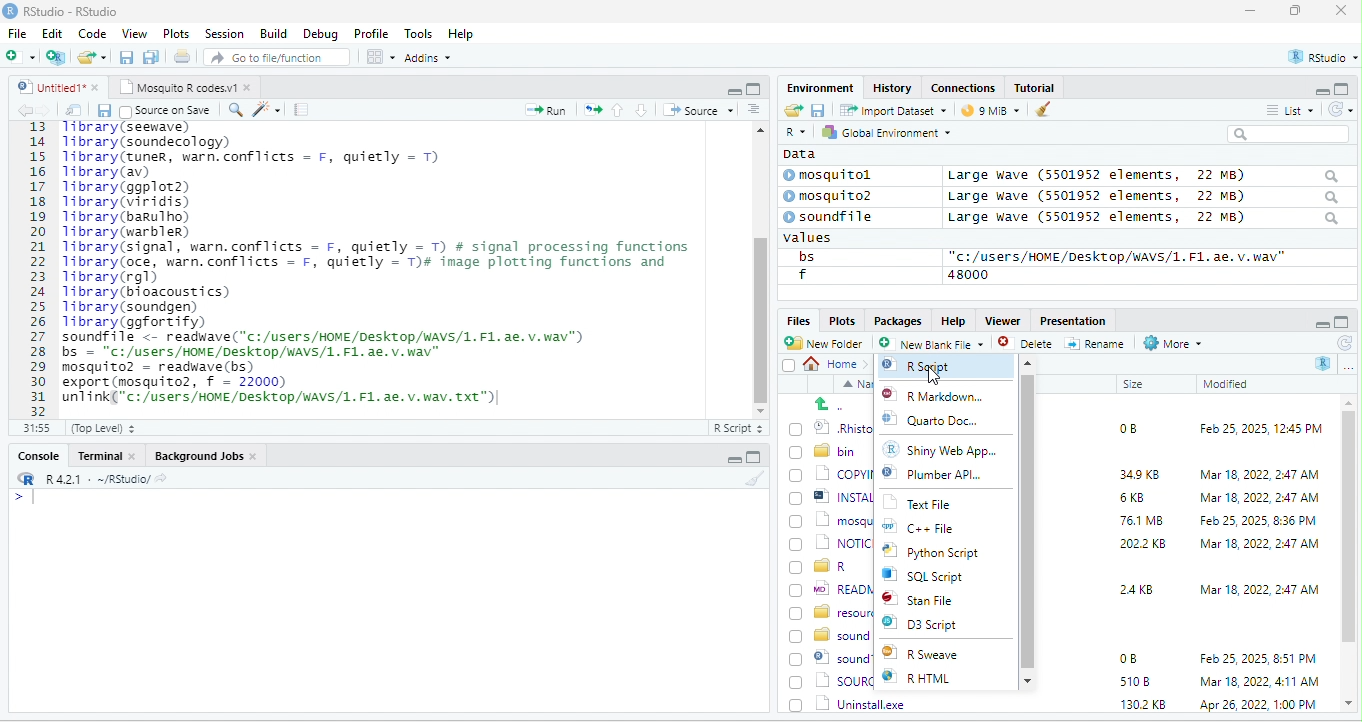 This screenshot has width=1362, height=722. Describe the element at coordinates (932, 529) in the screenshot. I see `C++ File` at that location.